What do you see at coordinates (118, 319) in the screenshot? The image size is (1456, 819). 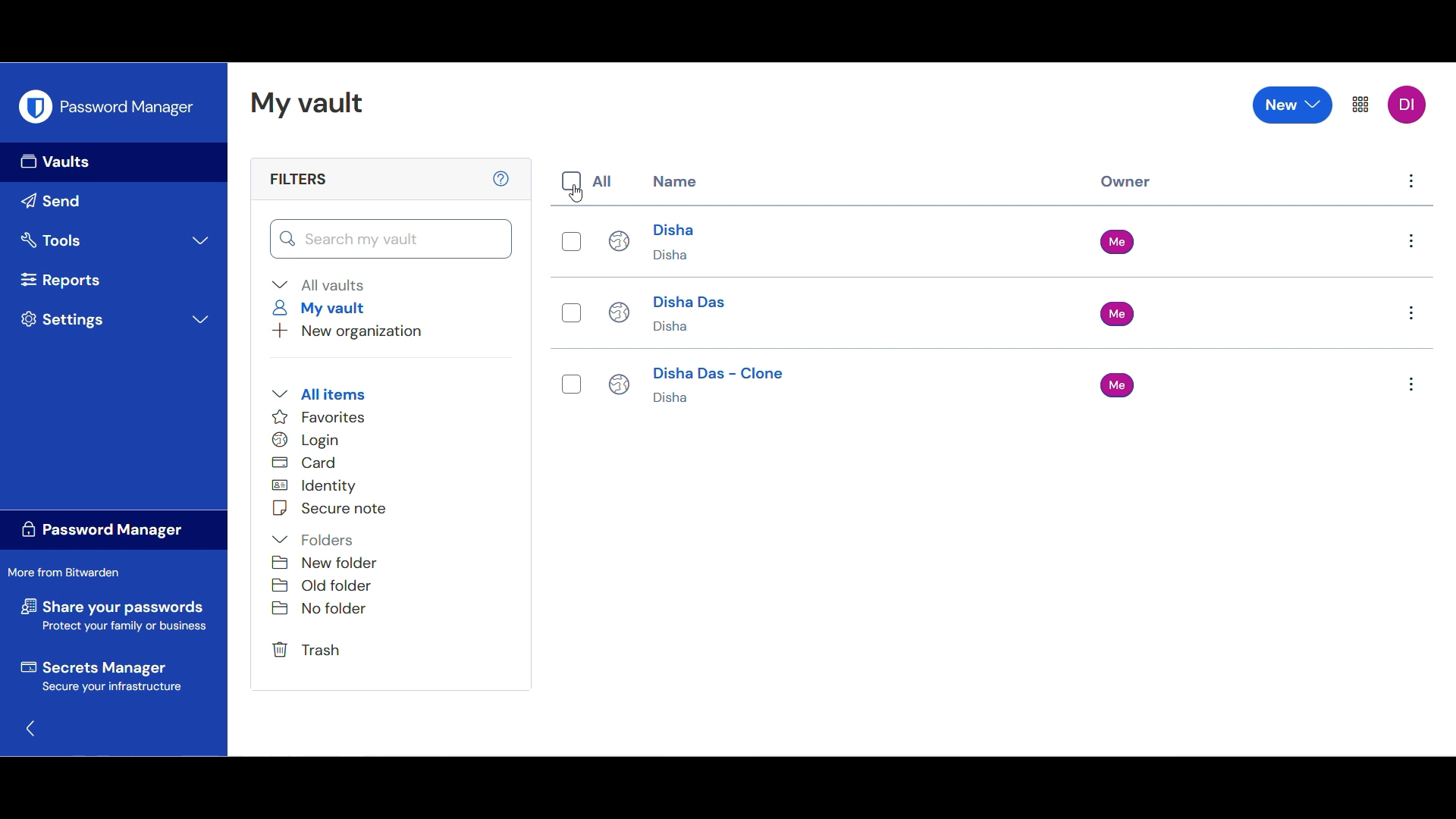 I see `Expand settings` at bounding box center [118, 319].